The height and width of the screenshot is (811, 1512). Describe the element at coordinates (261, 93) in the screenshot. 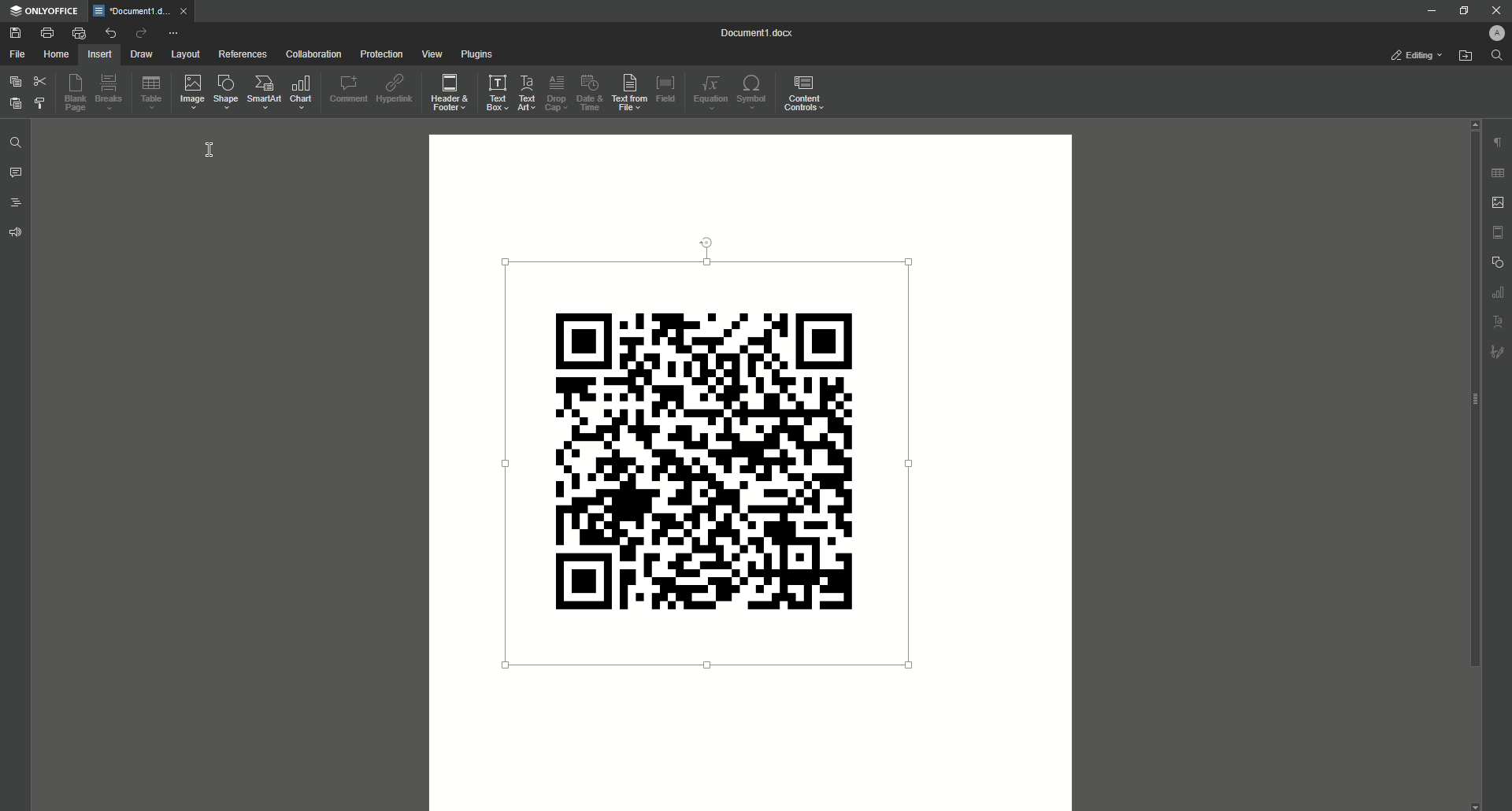

I see `SmartArt` at that location.